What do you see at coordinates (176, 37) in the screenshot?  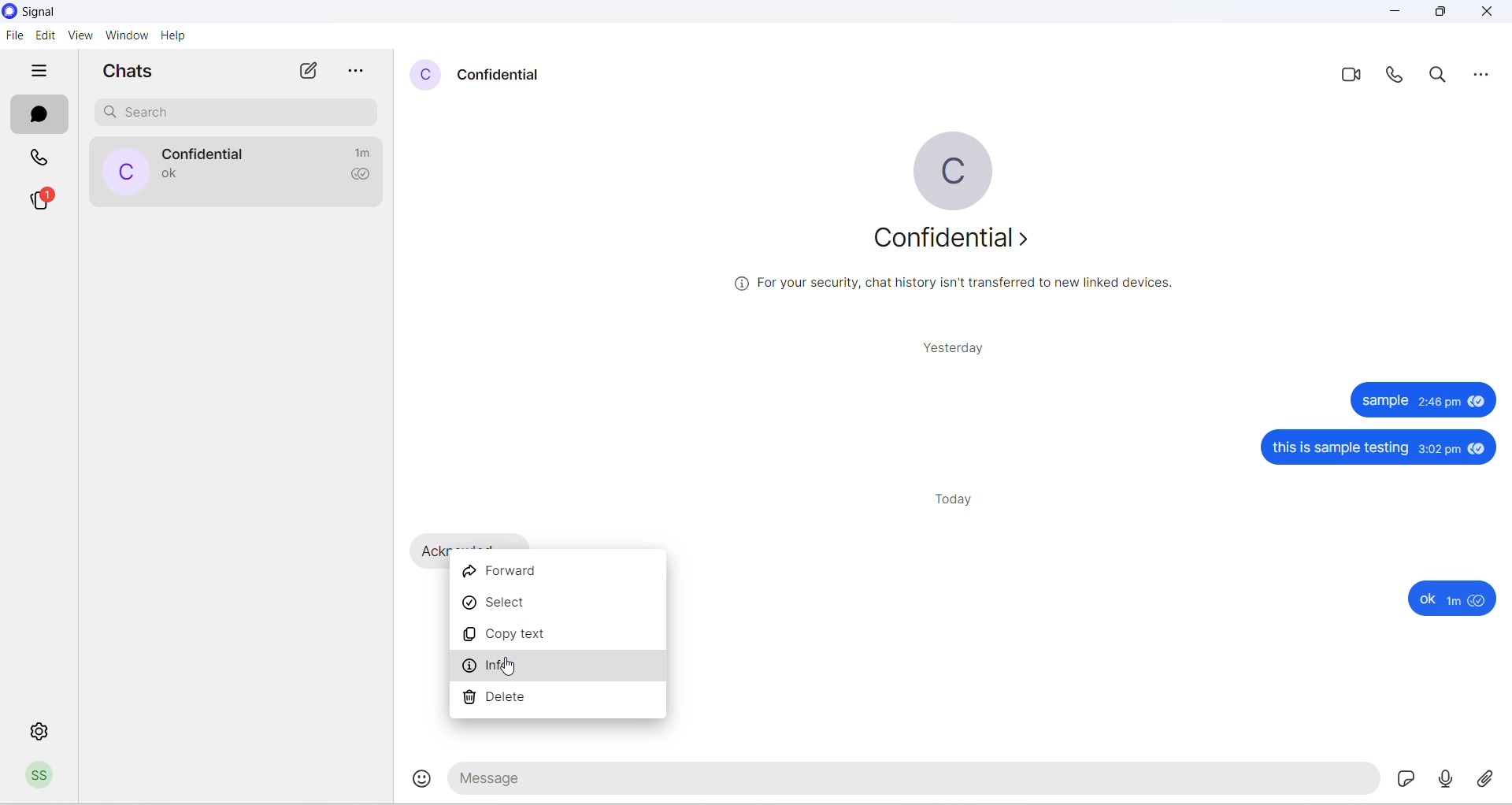 I see `help` at bounding box center [176, 37].